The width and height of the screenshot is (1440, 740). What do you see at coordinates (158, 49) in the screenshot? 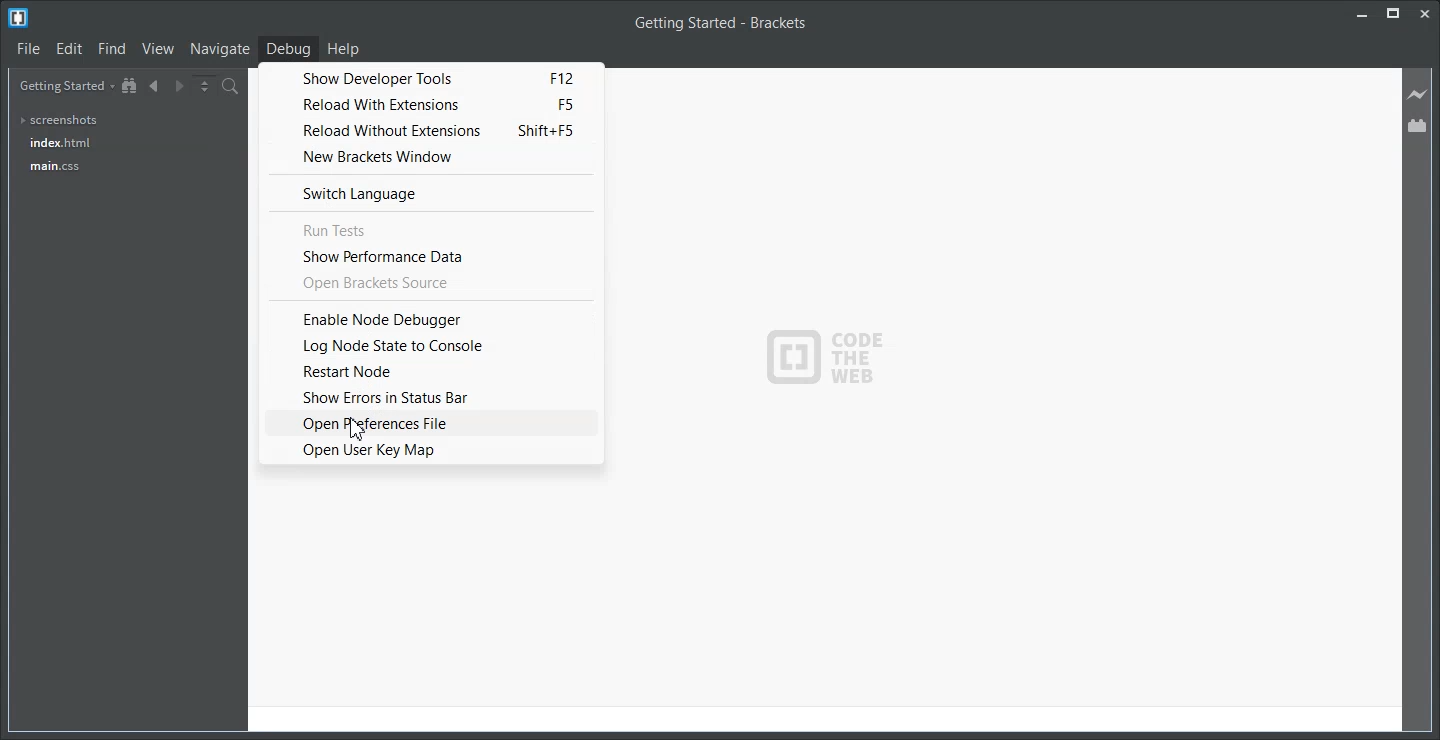
I see `View` at bounding box center [158, 49].